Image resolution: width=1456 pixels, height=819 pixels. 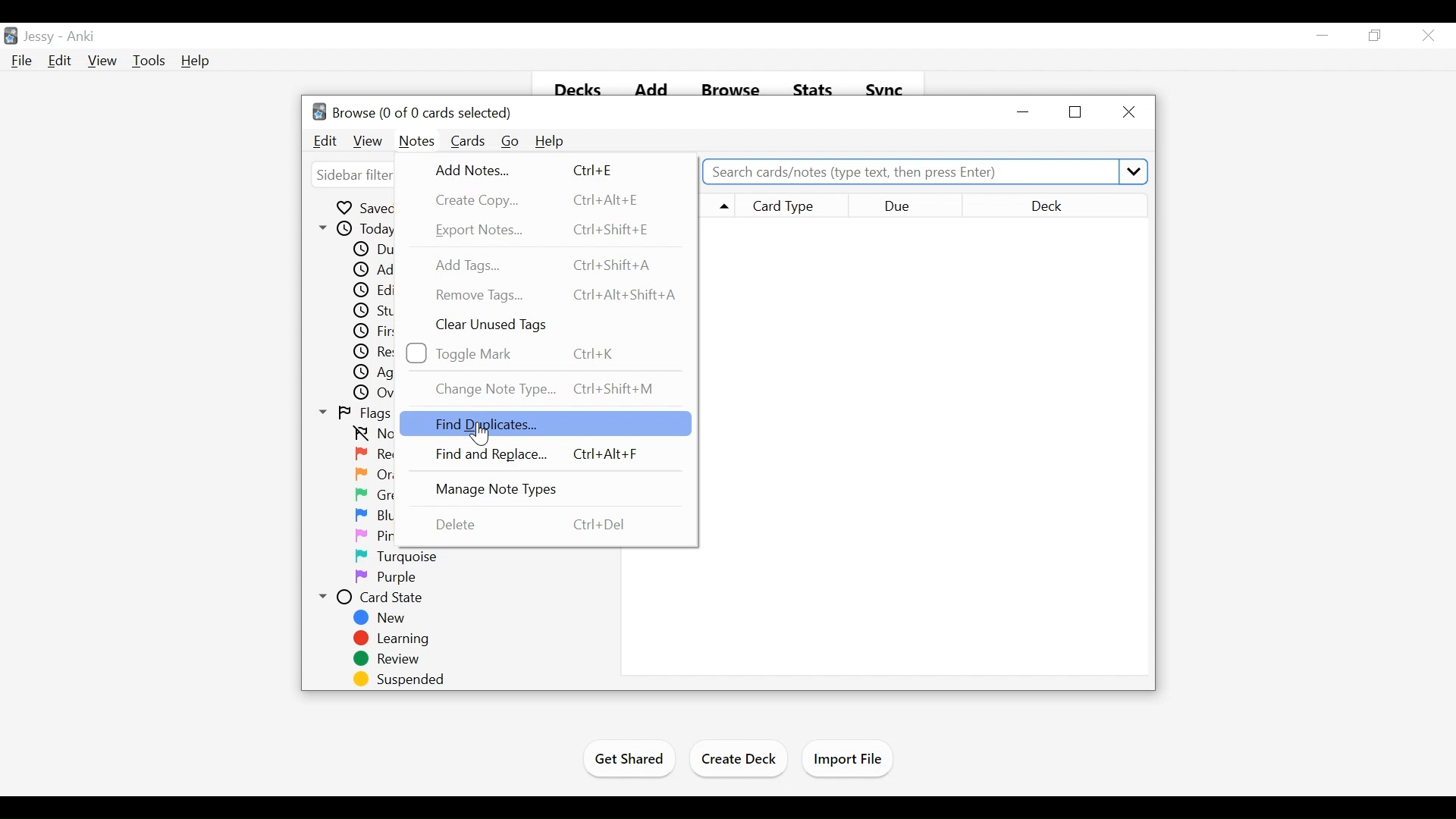 I want to click on No flag, so click(x=372, y=435).